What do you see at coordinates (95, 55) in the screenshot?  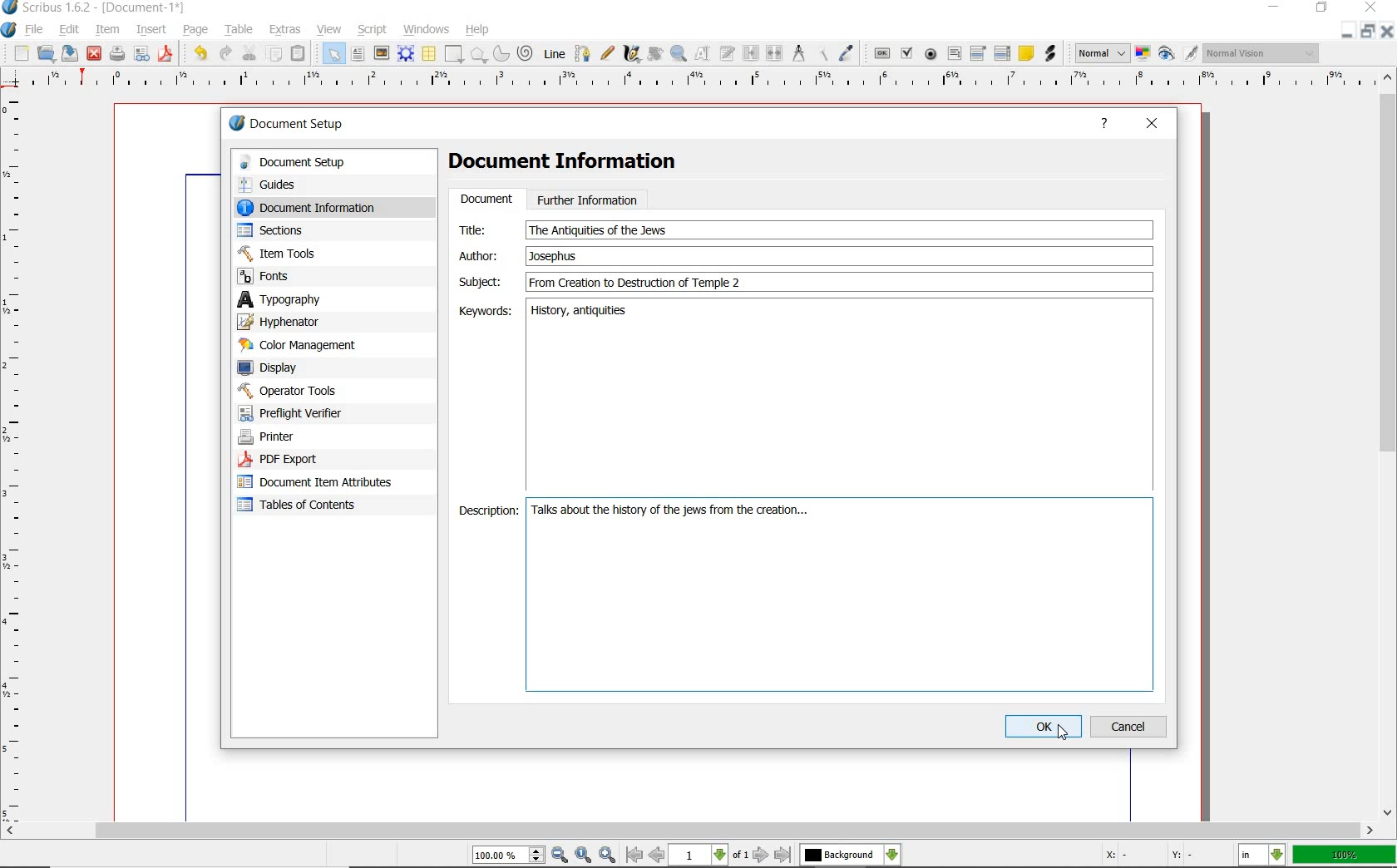 I see `close` at bounding box center [95, 55].